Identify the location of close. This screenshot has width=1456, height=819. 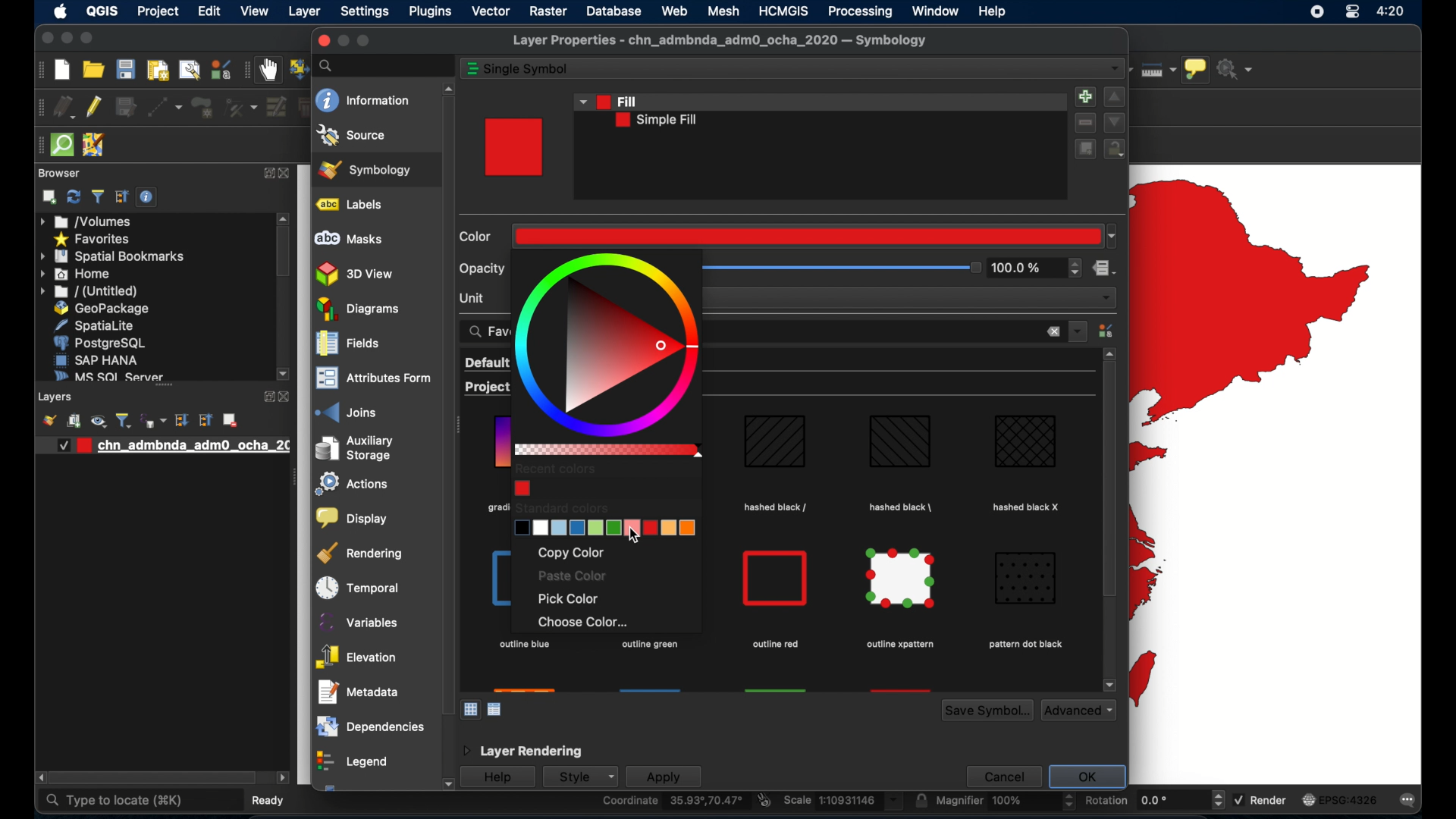
(1053, 333).